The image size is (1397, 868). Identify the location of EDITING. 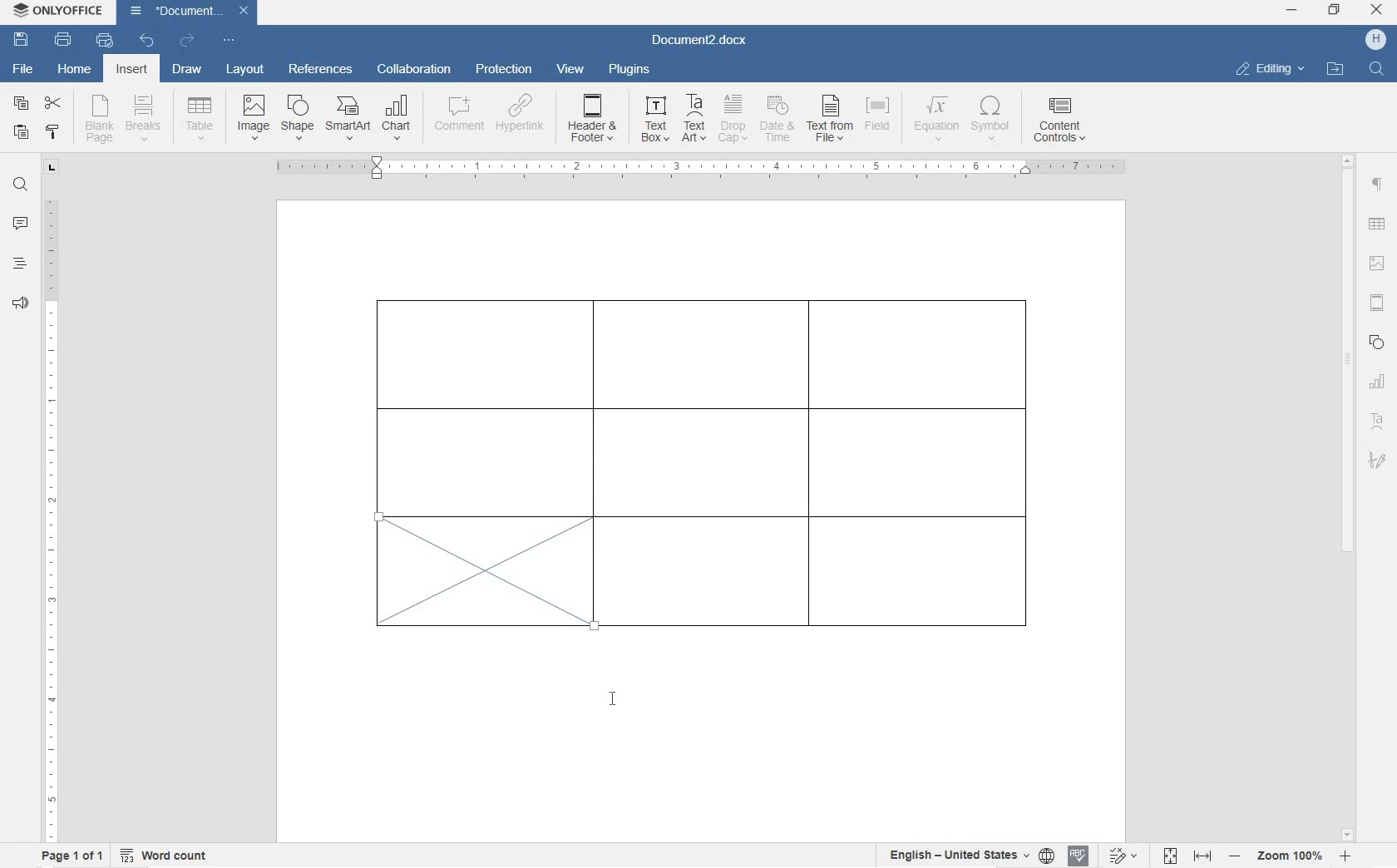
(1271, 68).